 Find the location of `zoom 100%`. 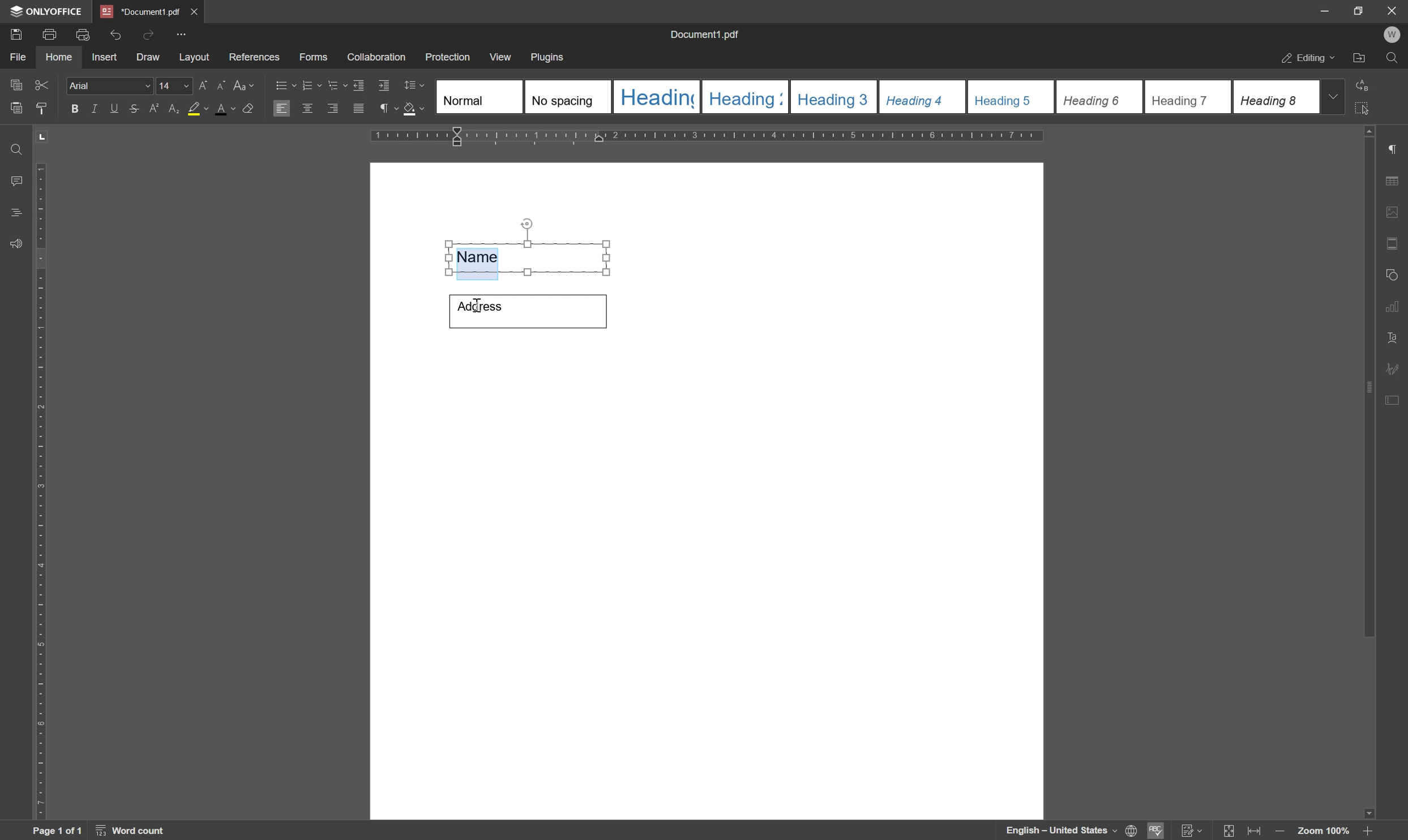

zoom 100% is located at coordinates (1323, 831).